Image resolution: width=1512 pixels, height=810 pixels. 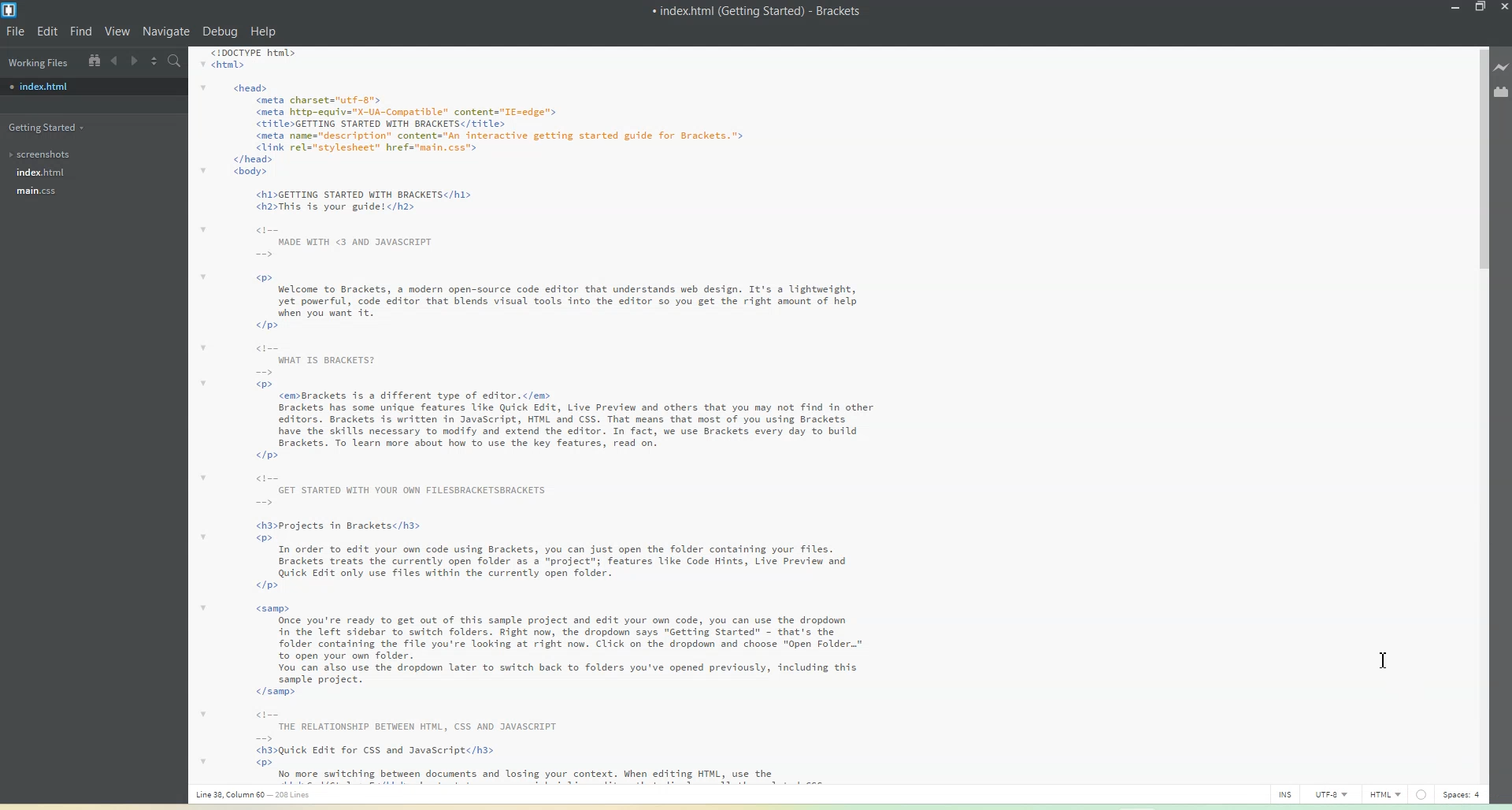 I want to click on Minimize, so click(x=1456, y=8).